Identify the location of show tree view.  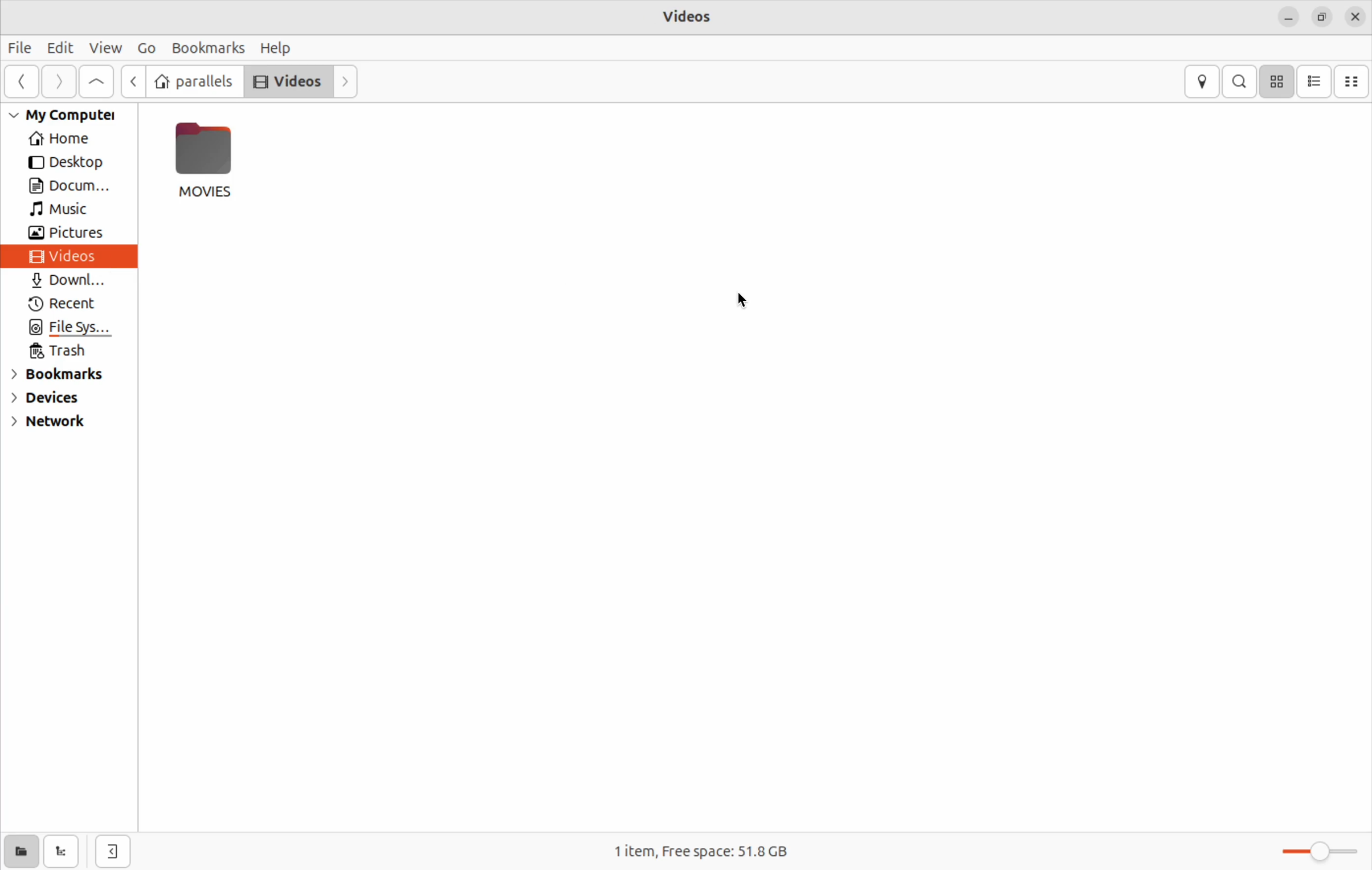
(62, 852).